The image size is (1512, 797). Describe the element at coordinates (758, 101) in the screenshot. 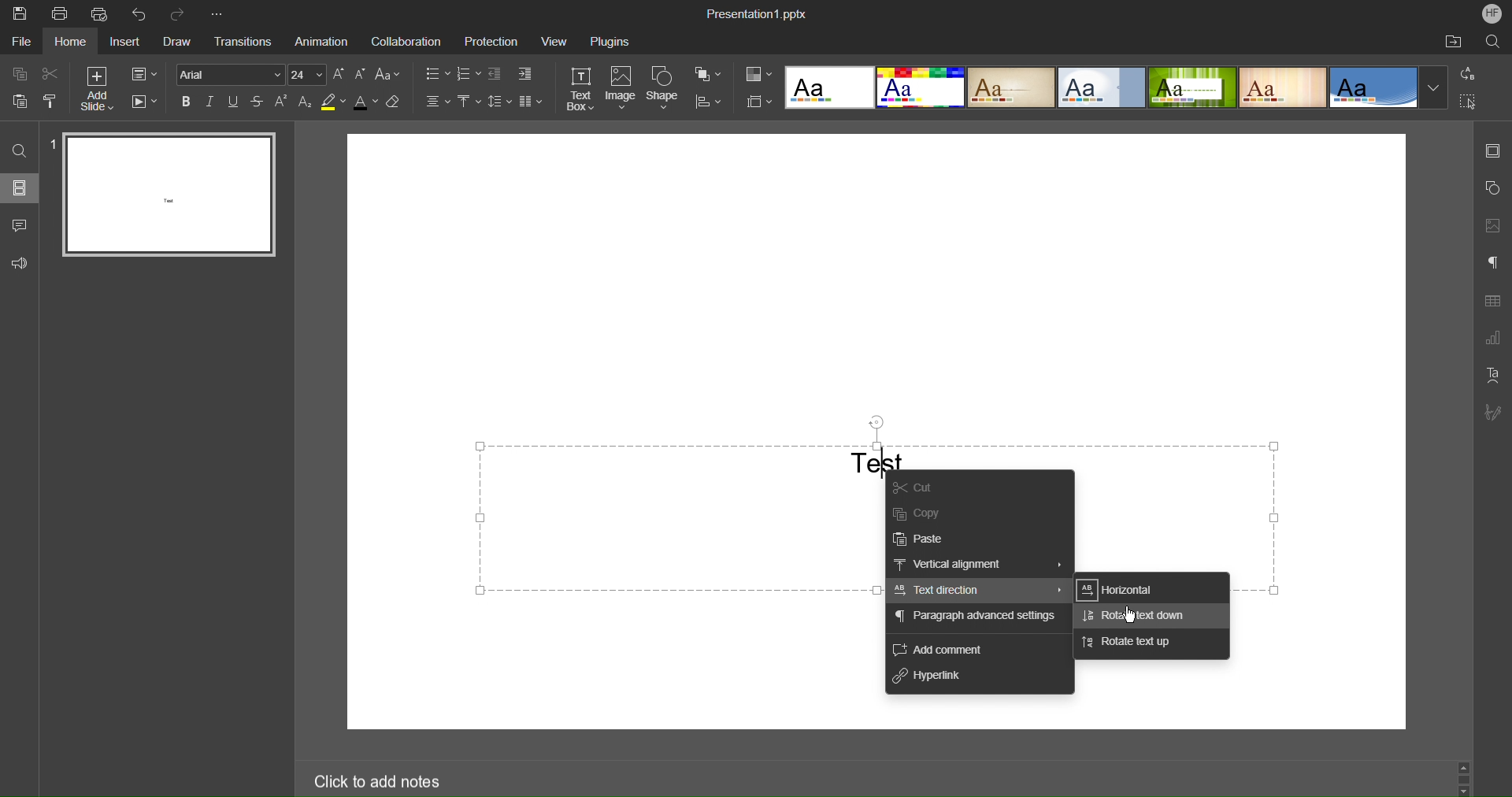

I see `Size Settings` at that location.